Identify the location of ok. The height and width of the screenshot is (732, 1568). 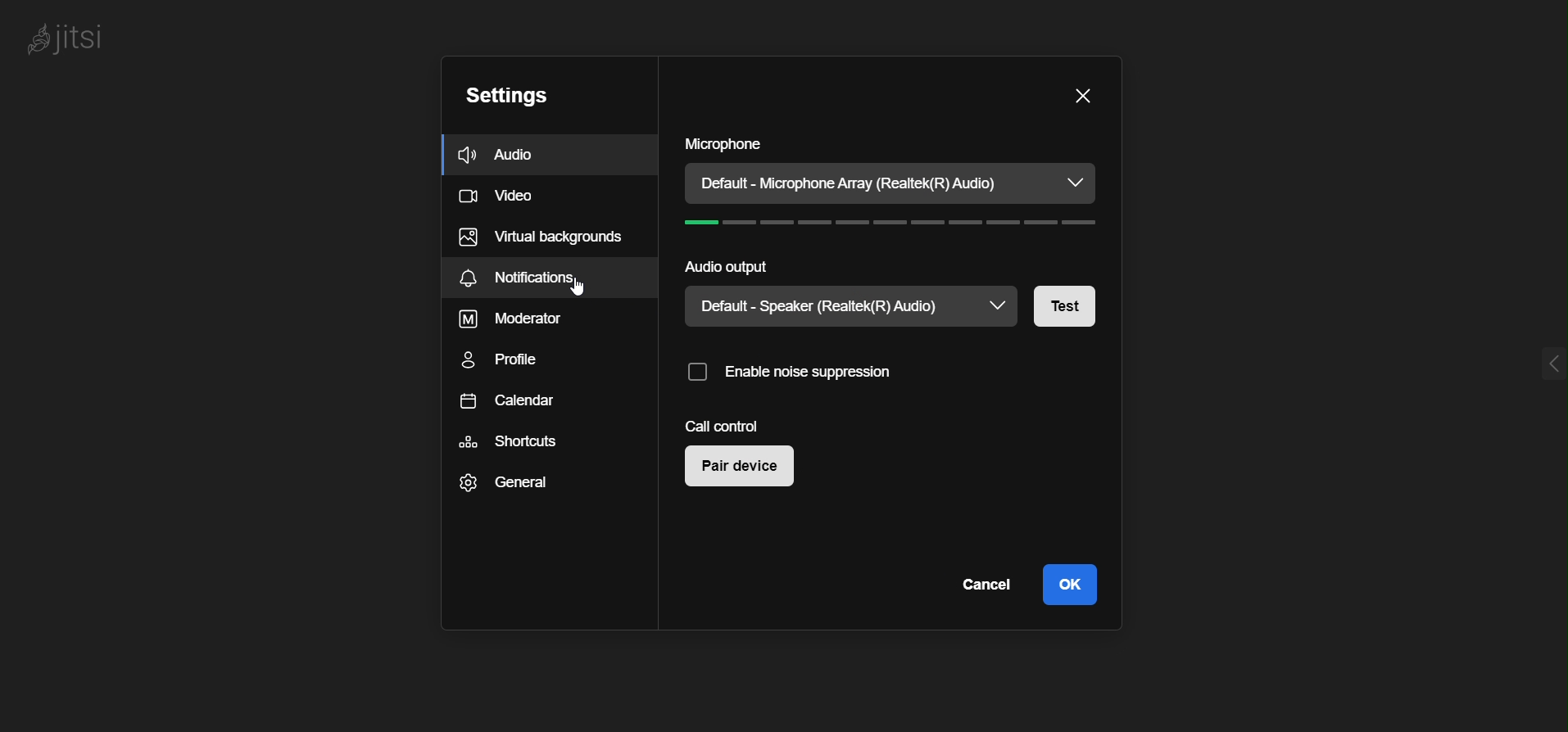
(1074, 585).